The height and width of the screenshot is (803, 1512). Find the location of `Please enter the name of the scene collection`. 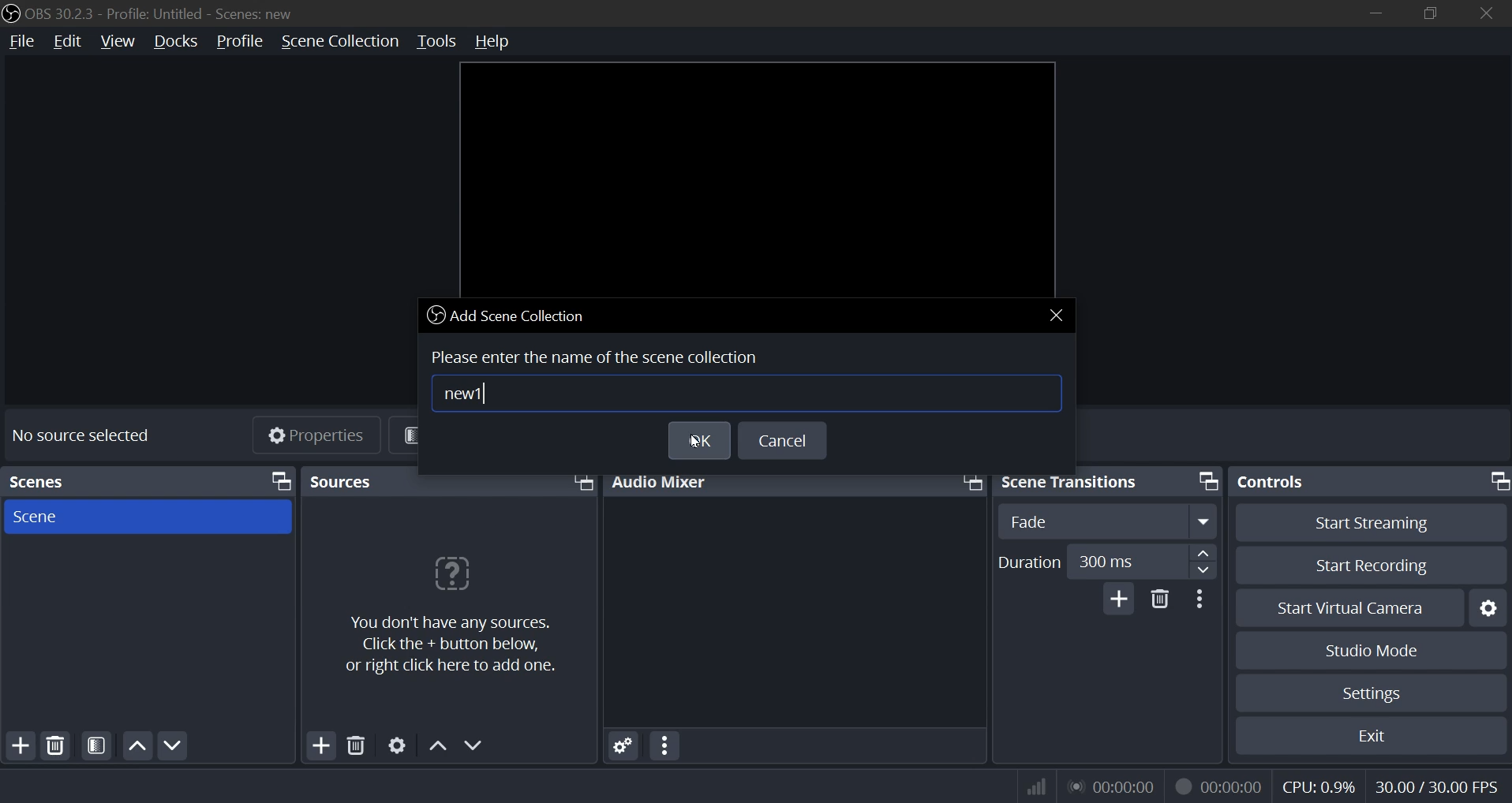

Please enter the name of the scene collection is located at coordinates (604, 354).